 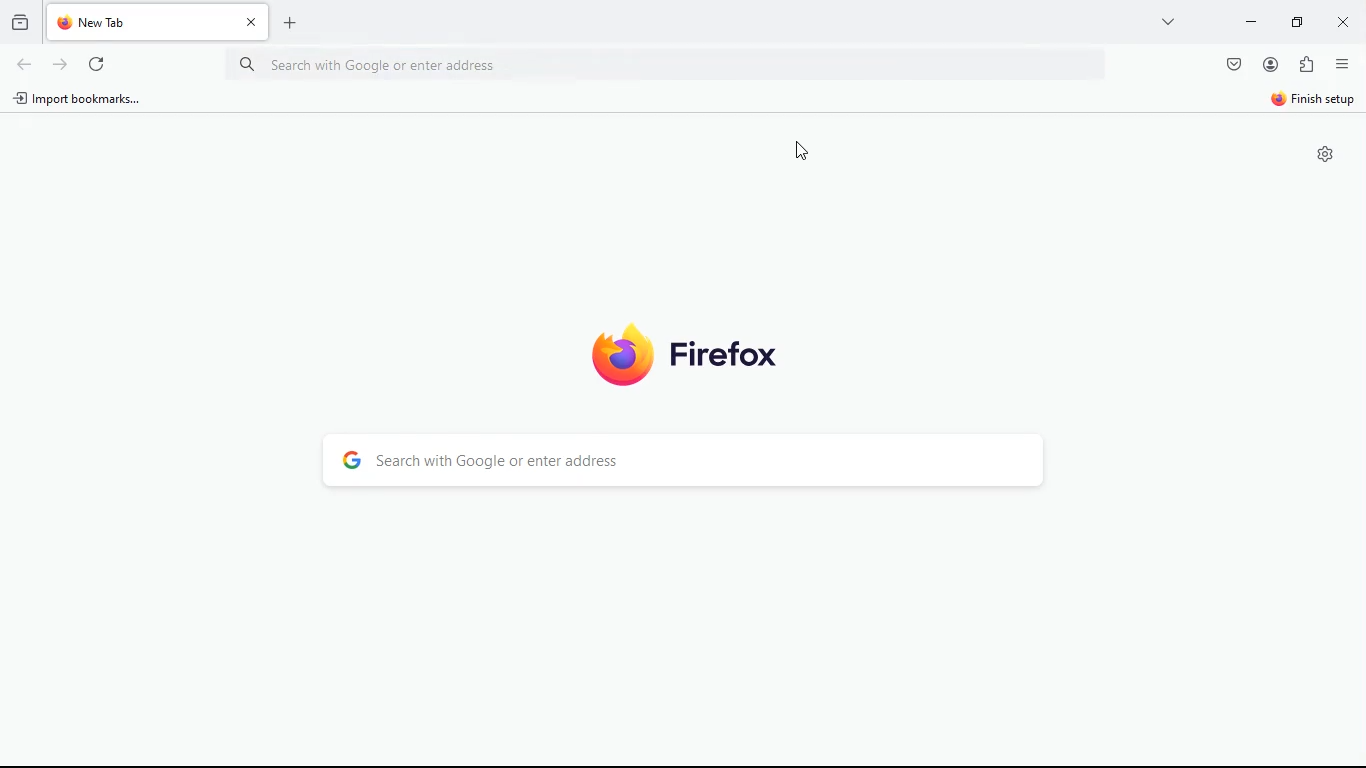 I want to click on back, so click(x=25, y=66).